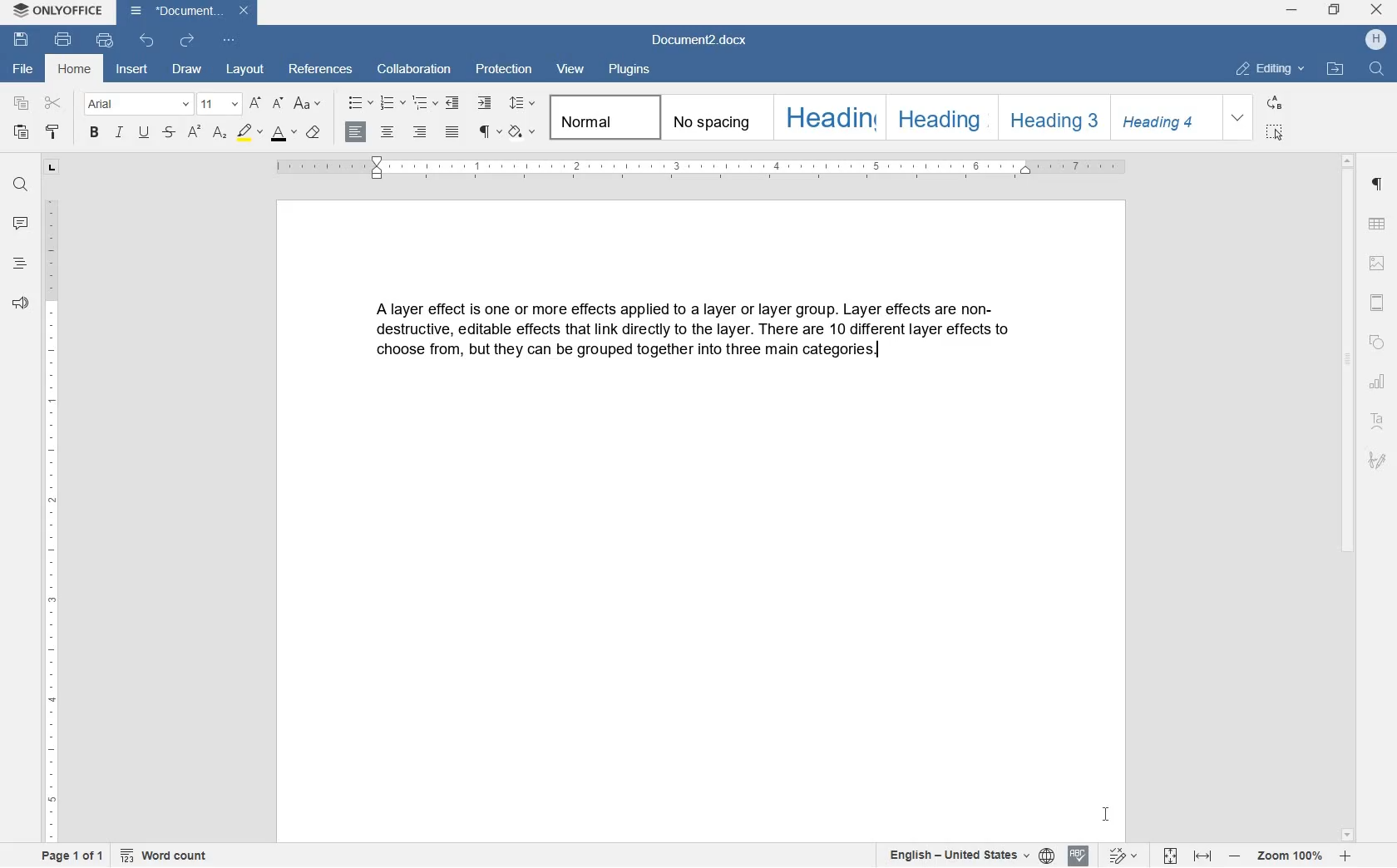  I want to click on PROTECTION, so click(502, 70).